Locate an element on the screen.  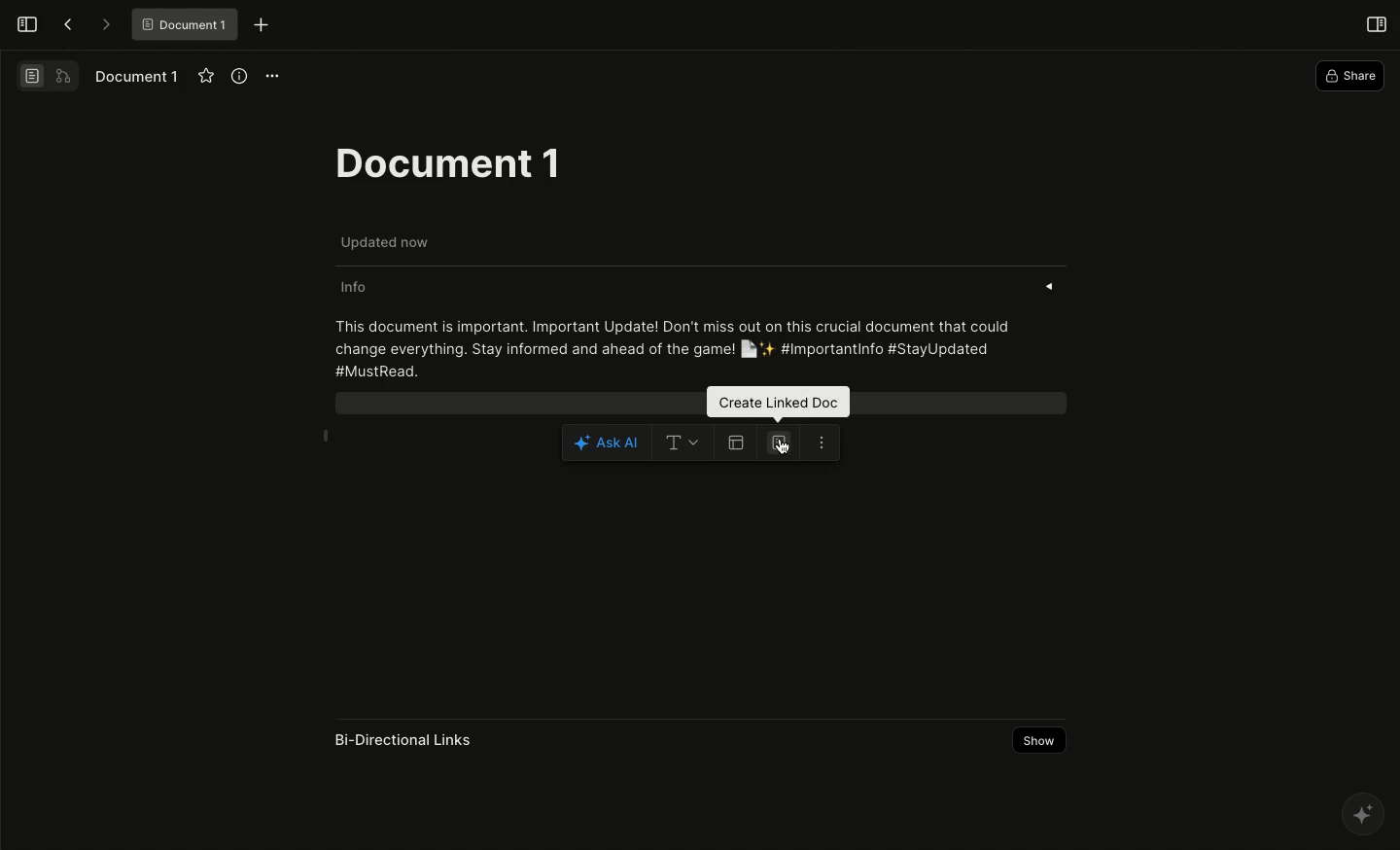
® Document 1 is located at coordinates (184, 24).